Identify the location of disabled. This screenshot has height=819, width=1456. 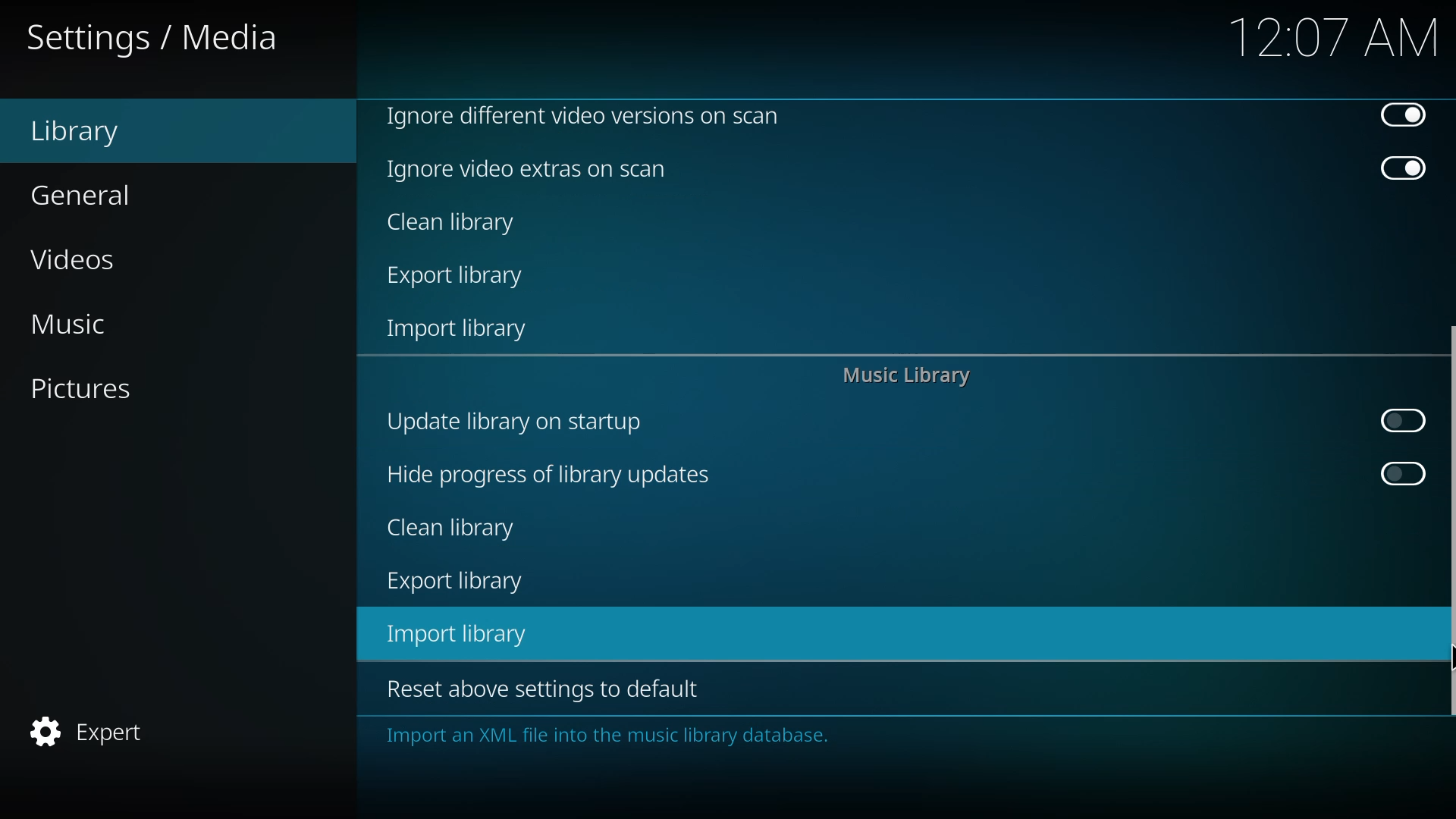
(1403, 170).